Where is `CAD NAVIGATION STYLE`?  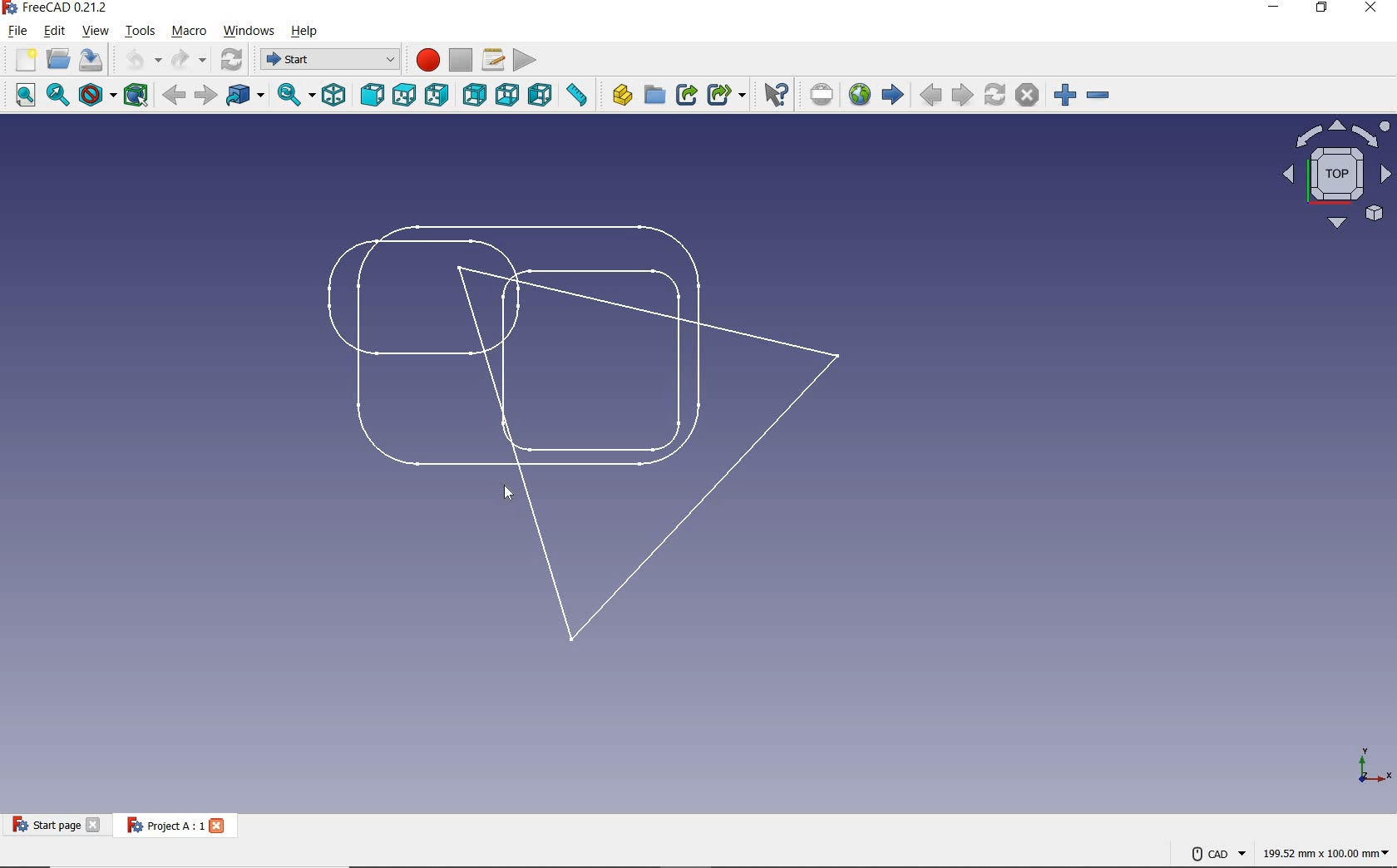 CAD NAVIGATION STYLE is located at coordinates (1220, 854).